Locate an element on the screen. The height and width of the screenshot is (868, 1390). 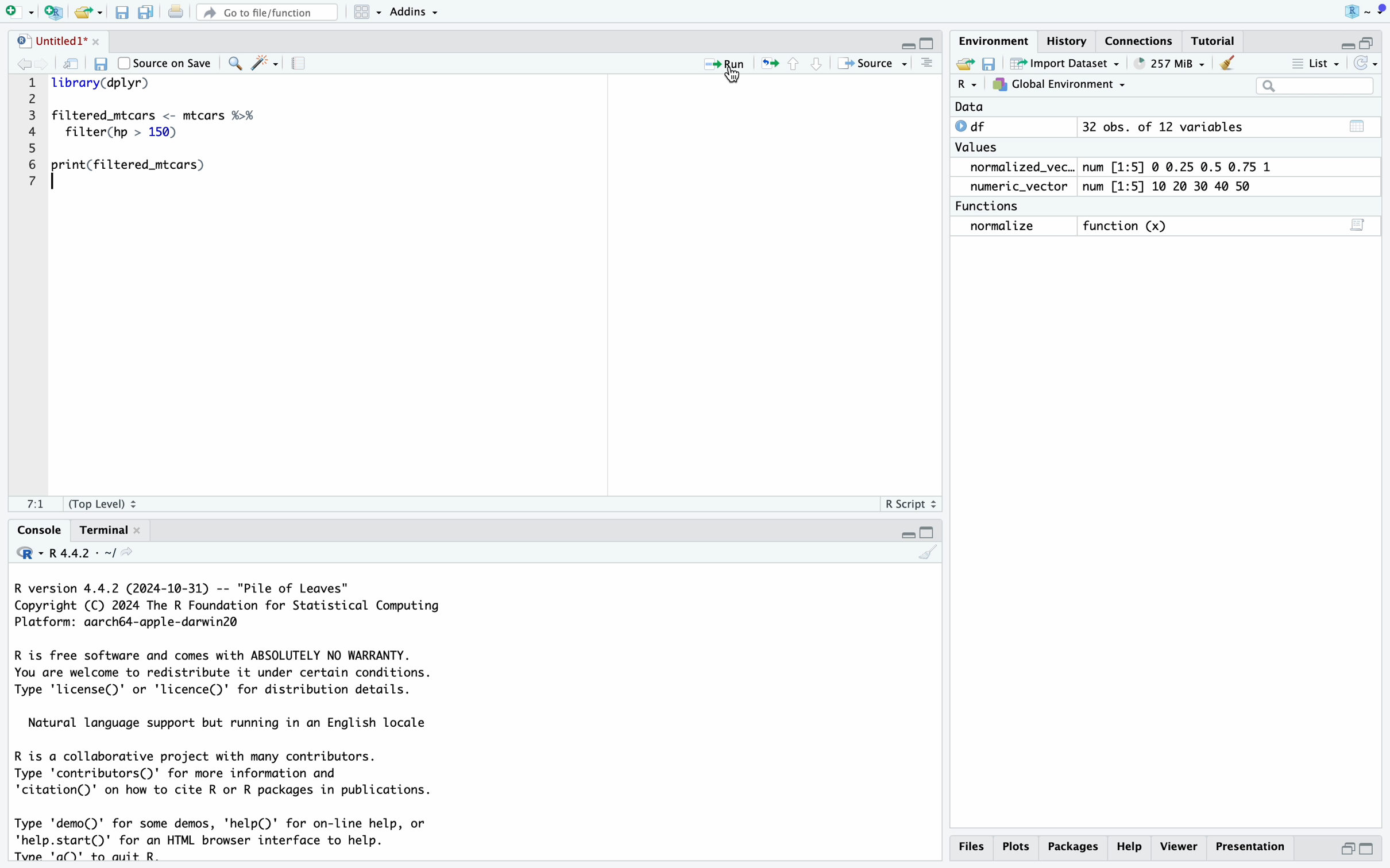
save is located at coordinates (991, 64).